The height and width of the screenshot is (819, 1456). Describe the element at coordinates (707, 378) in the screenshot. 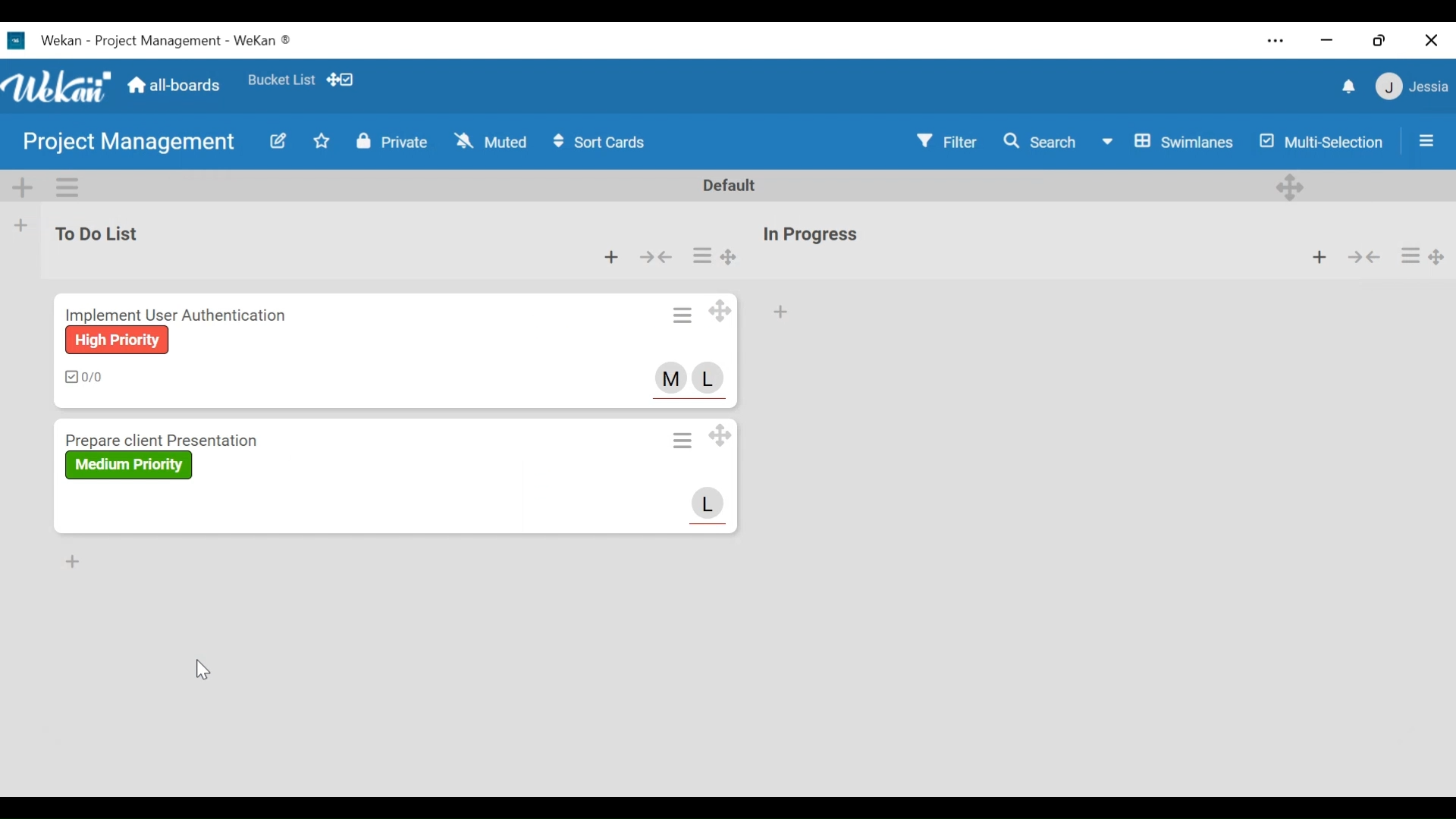

I see `member` at that location.